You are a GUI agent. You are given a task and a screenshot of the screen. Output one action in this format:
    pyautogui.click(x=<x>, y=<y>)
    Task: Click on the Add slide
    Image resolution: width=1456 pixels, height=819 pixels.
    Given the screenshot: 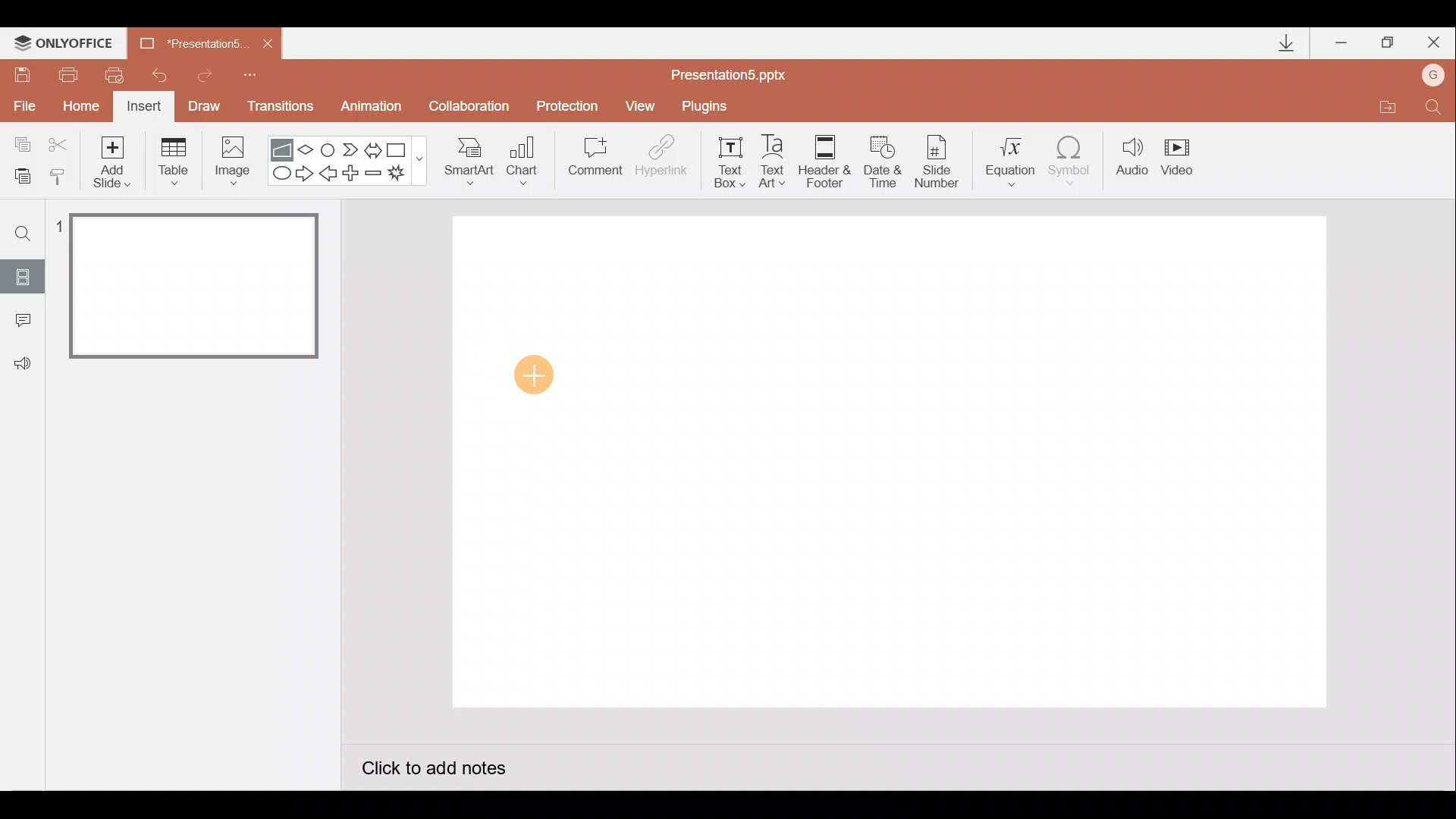 What is the action you would take?
    pyautogui.click(x=115, y=158)
    